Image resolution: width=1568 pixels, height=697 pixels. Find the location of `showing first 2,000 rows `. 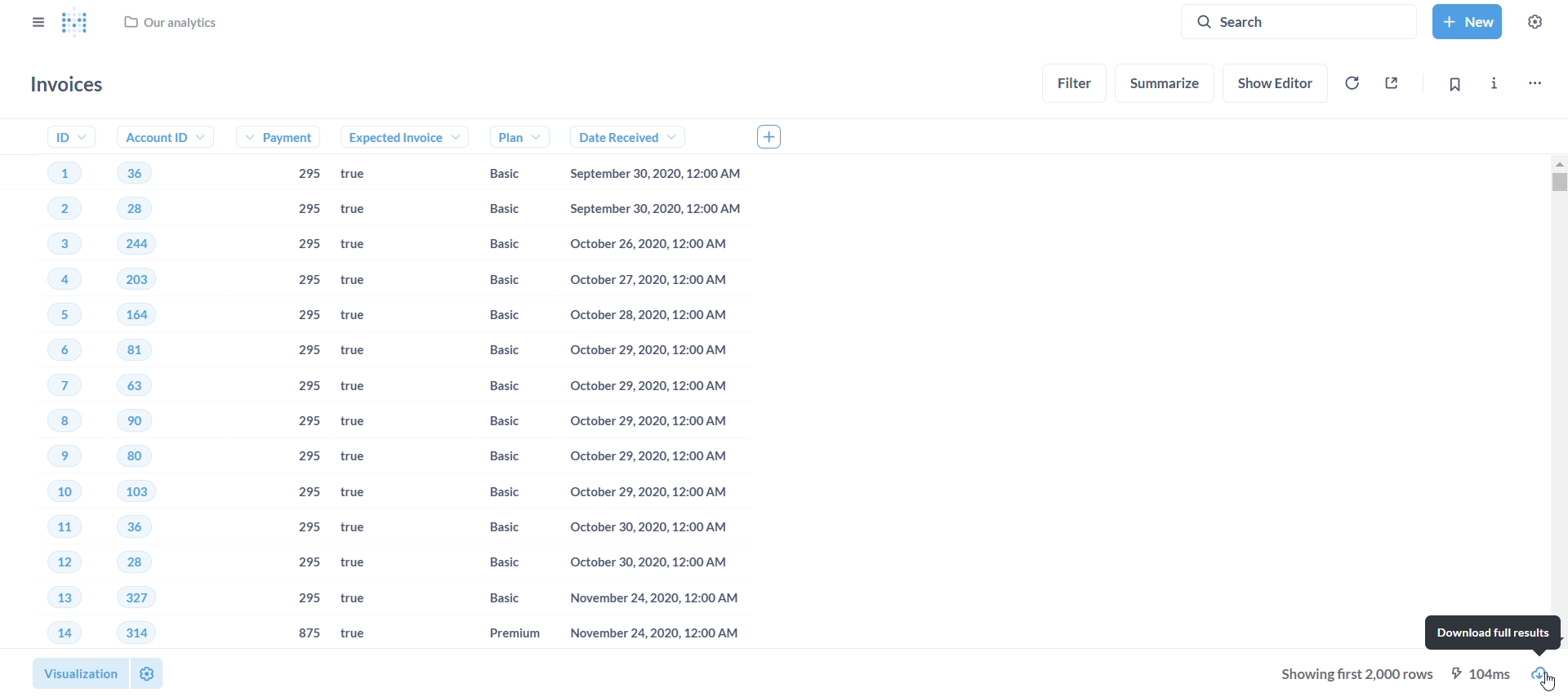

showing first 2,000 rows  is located at coordinates (1360, 673).